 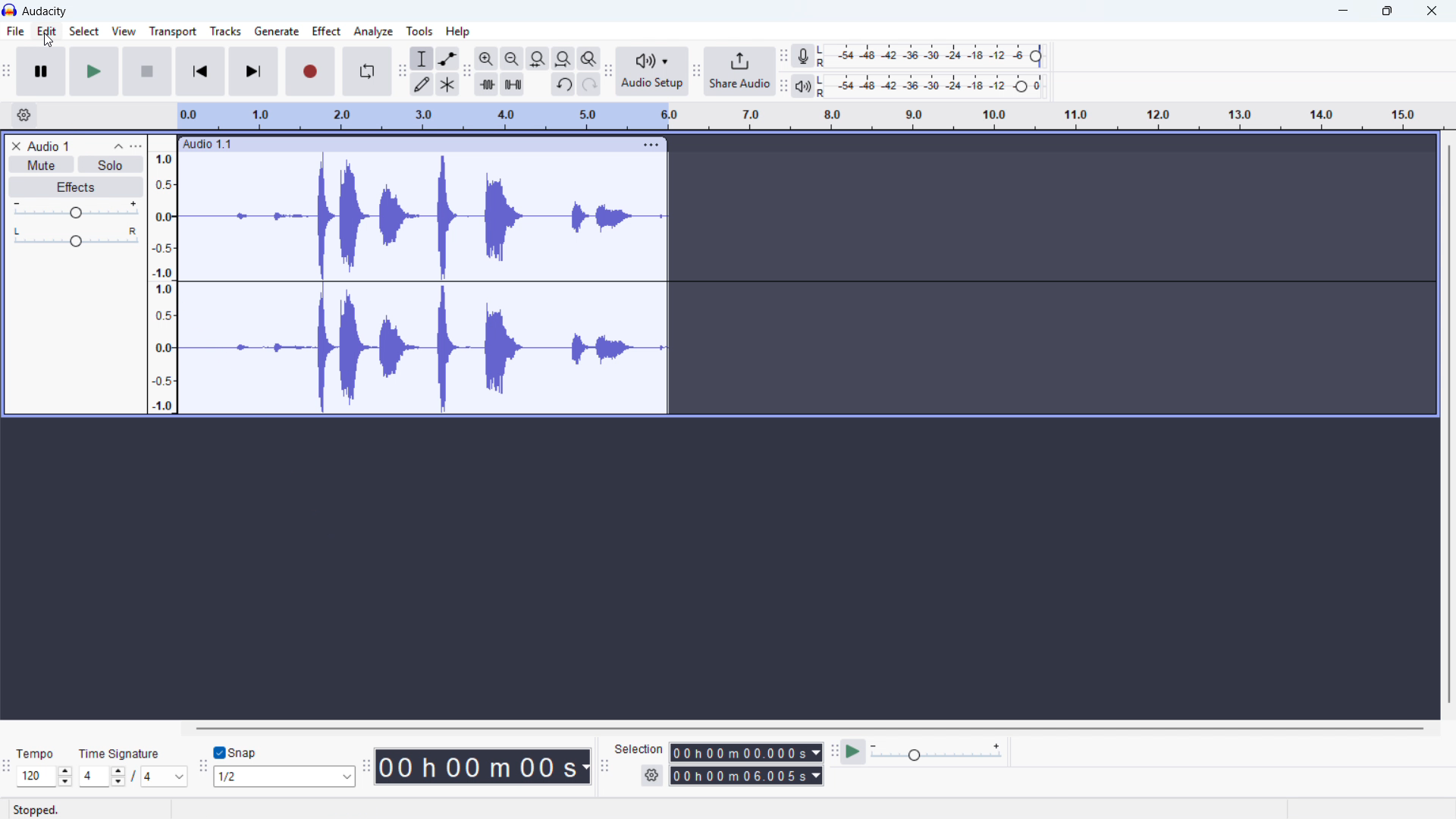 I want to click on audio setup toolbar, so click(x=607, y=72).